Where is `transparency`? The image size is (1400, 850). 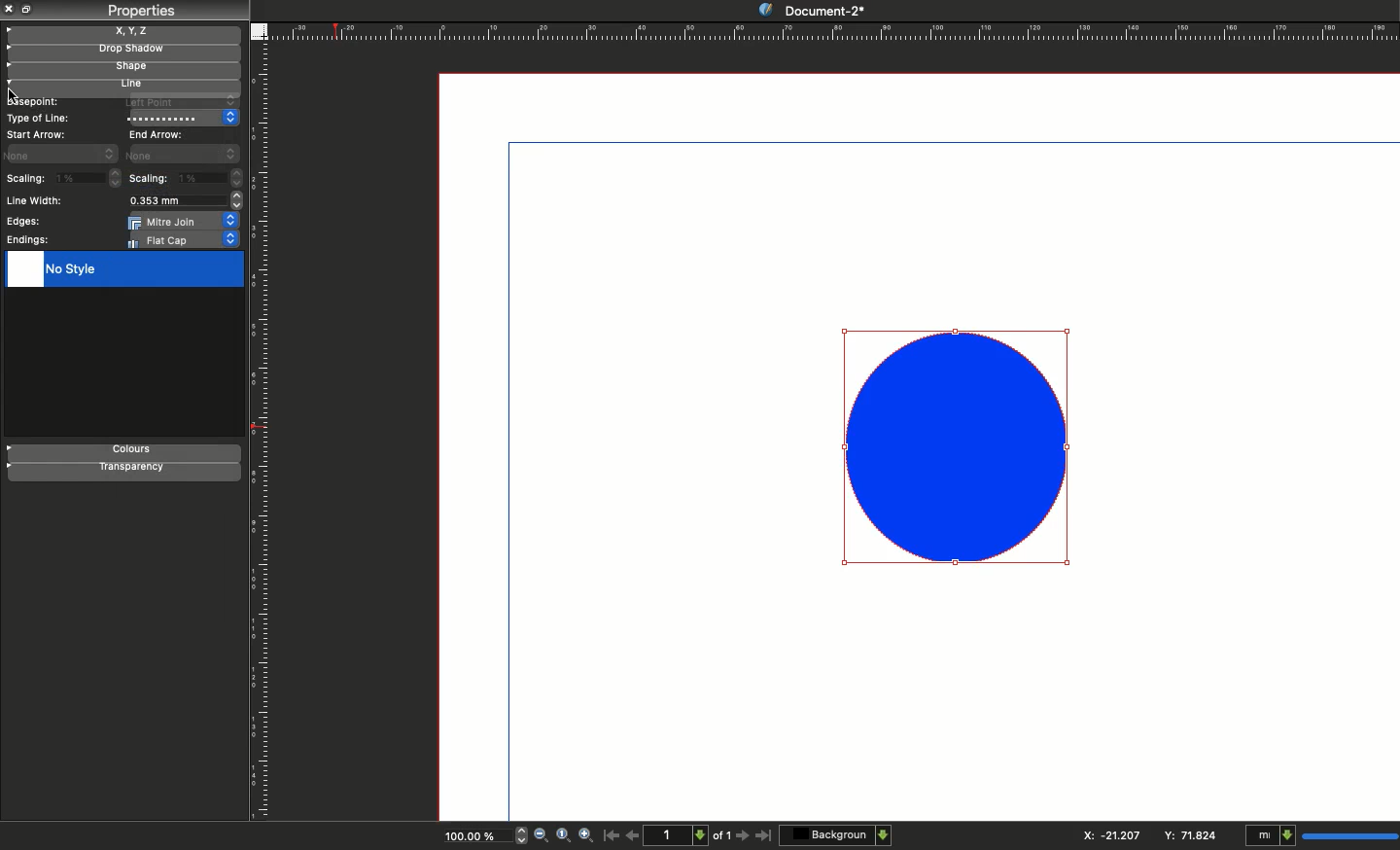 transparency is located at coordinates (124, 472).